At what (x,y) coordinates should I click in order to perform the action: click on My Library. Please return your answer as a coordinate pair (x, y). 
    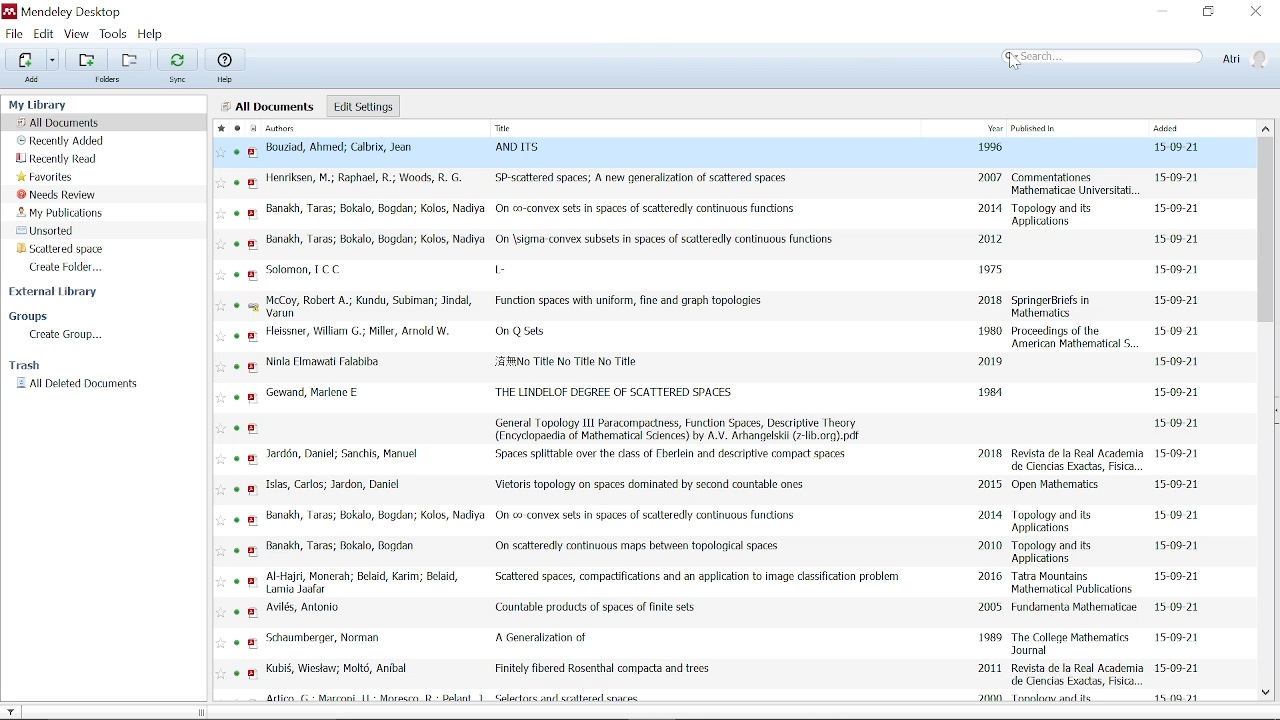
    Looking at the image, I should click on (89, 105).